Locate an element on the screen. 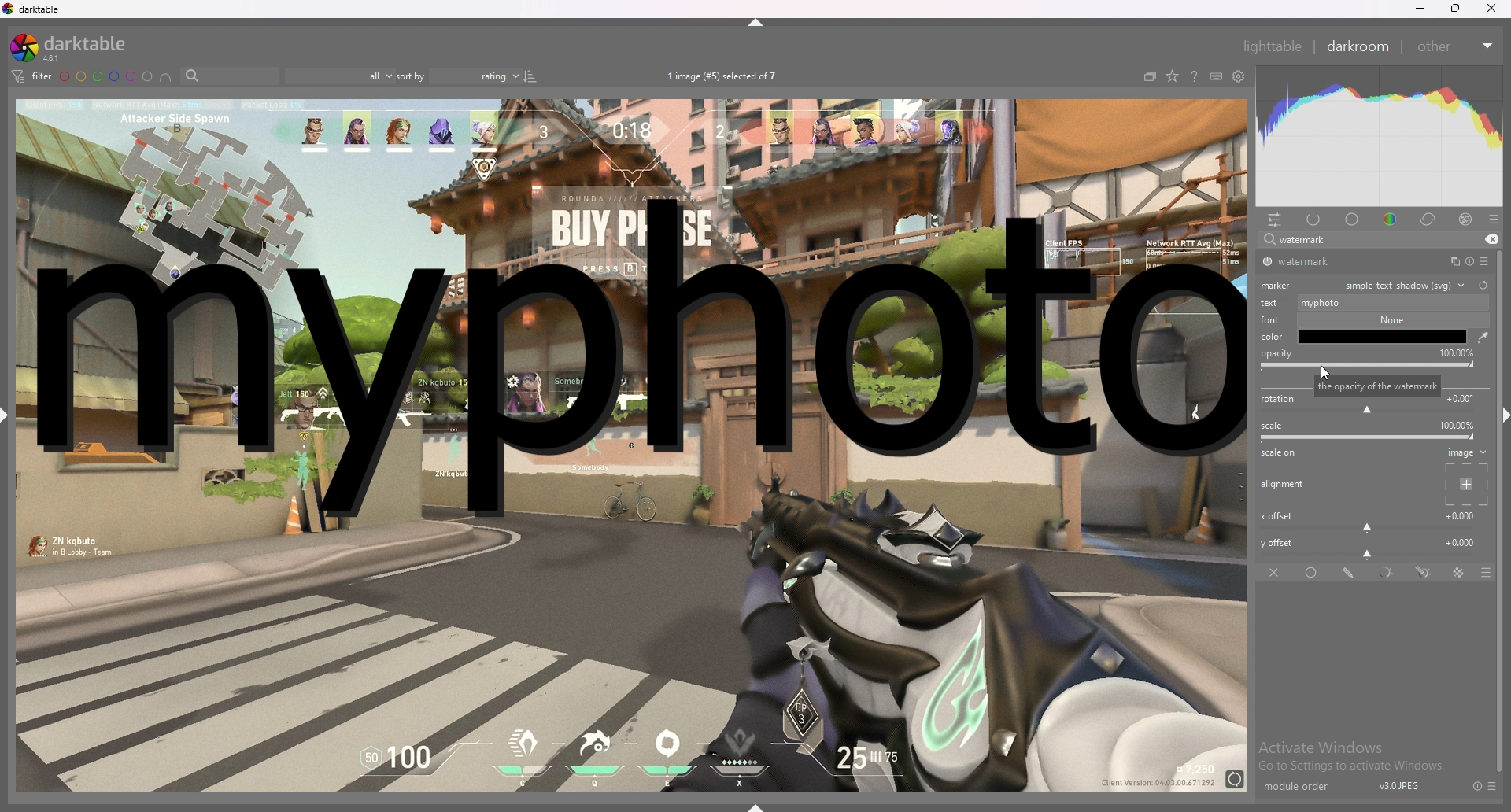  active module is located at coordinates (1314, 219).